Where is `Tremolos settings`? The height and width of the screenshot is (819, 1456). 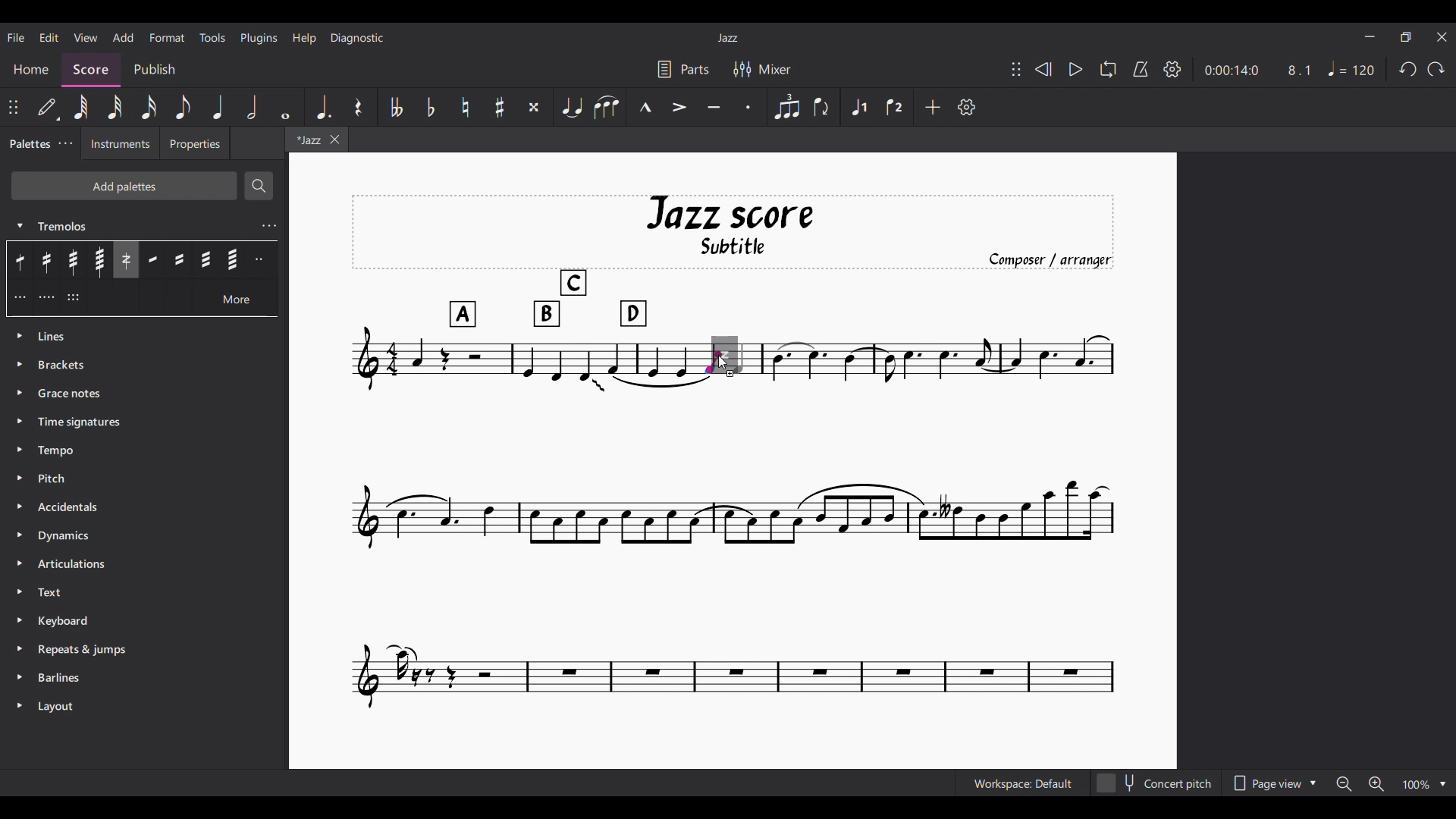
Tremolos settings is located at coordinates (269, 226).